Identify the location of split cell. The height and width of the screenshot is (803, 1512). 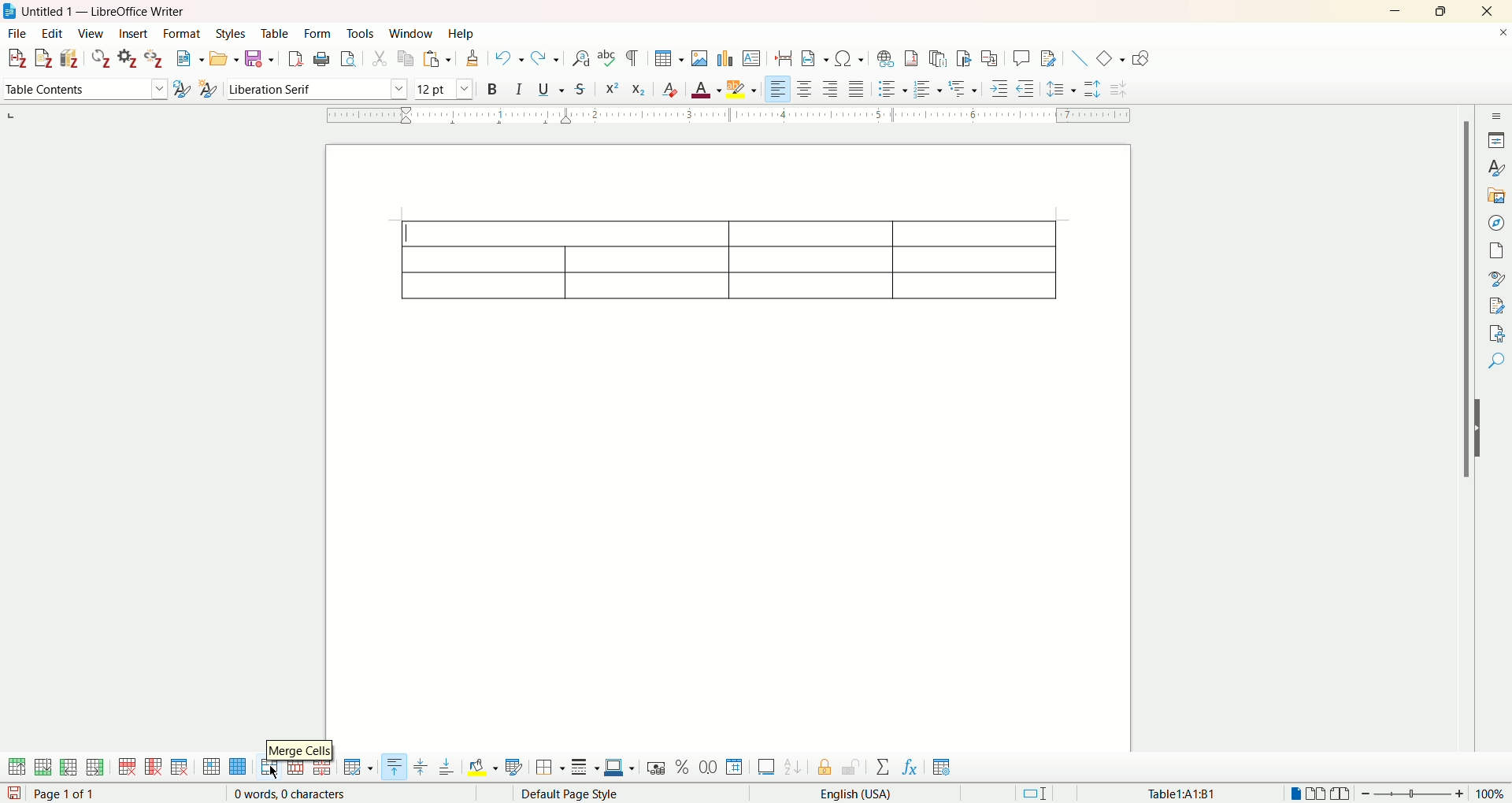
(295, 768).